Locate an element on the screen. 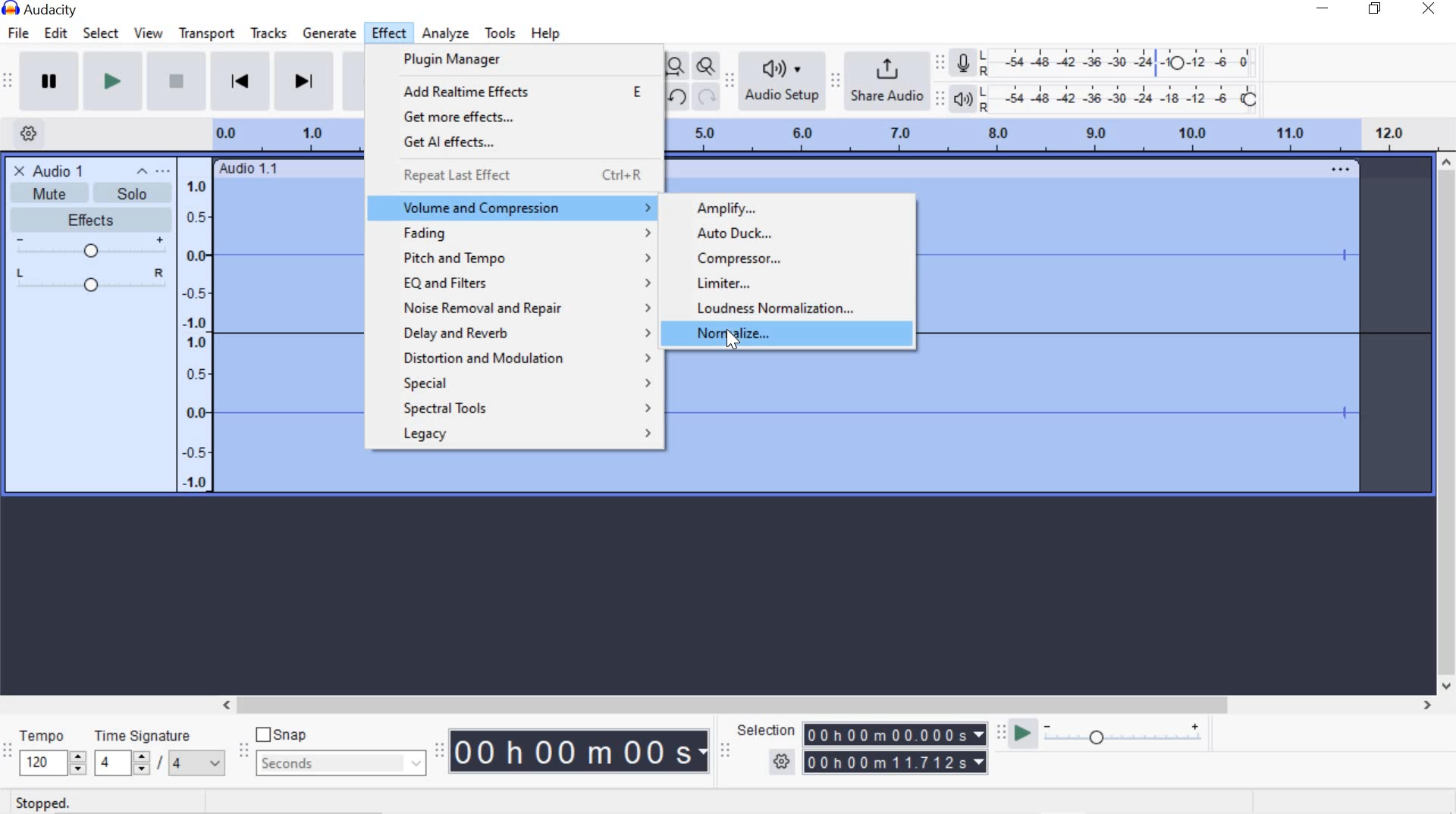 Image resolution: width=1456 pixels, height=814 pixels. Playback level is located at coordinates (1124, 99).